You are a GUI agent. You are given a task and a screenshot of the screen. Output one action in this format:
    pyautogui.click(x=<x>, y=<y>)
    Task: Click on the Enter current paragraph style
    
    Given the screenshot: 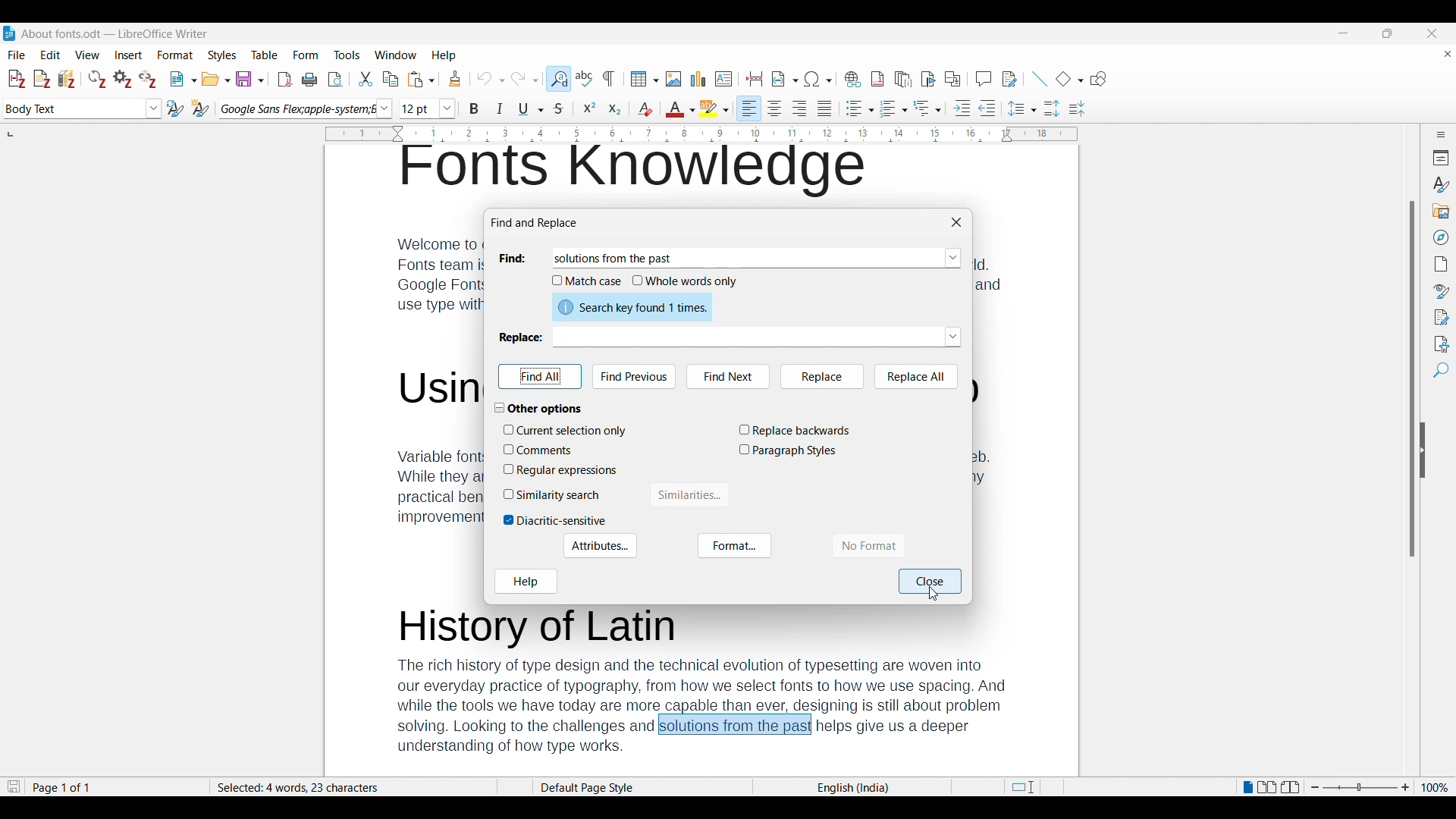 What is the action you would take?
    pyautogui.click(x=73, y=108)
    